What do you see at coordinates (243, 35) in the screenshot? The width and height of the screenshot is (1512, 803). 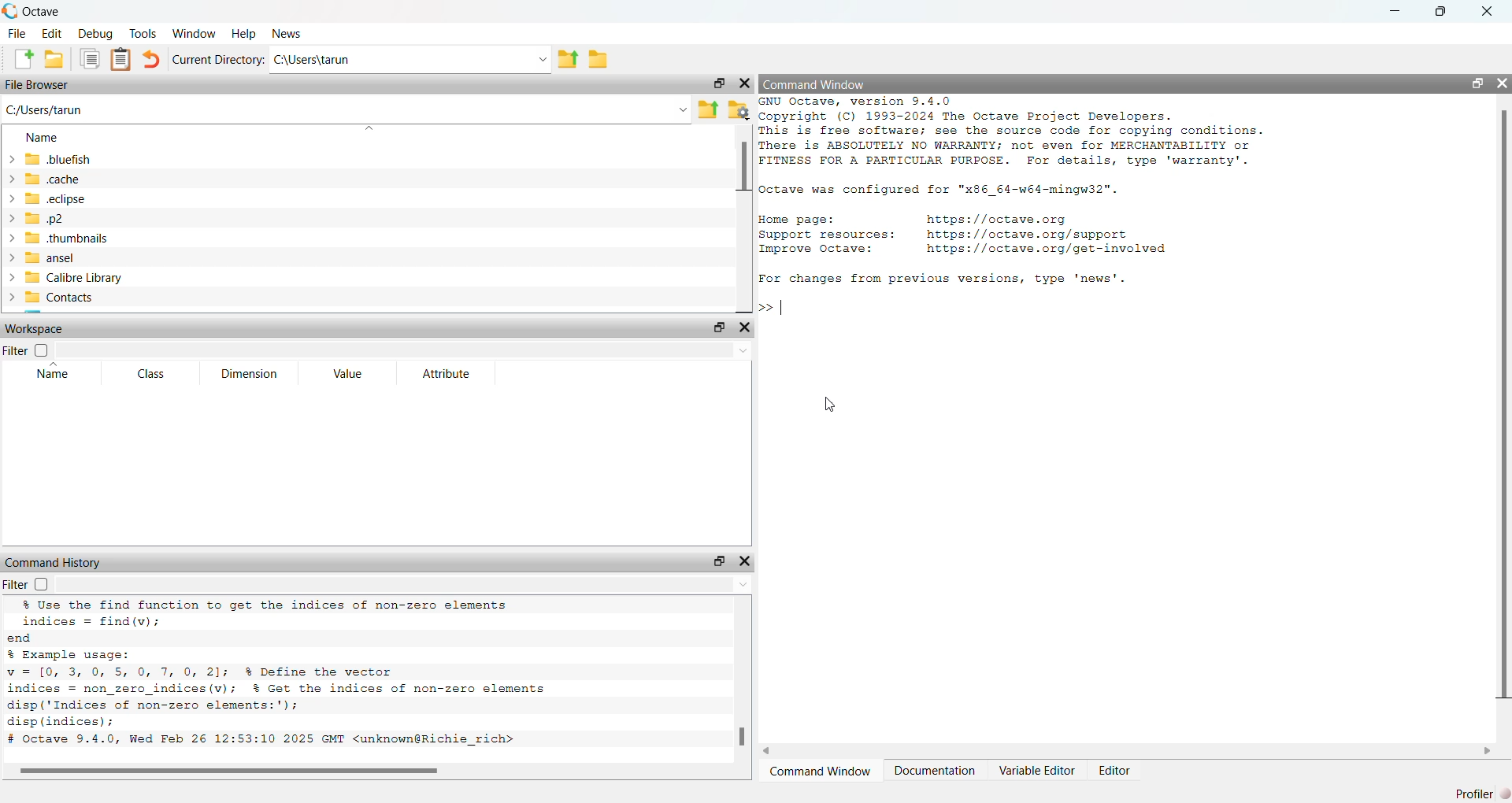 I see `Help` at bounding box center [243, 35].